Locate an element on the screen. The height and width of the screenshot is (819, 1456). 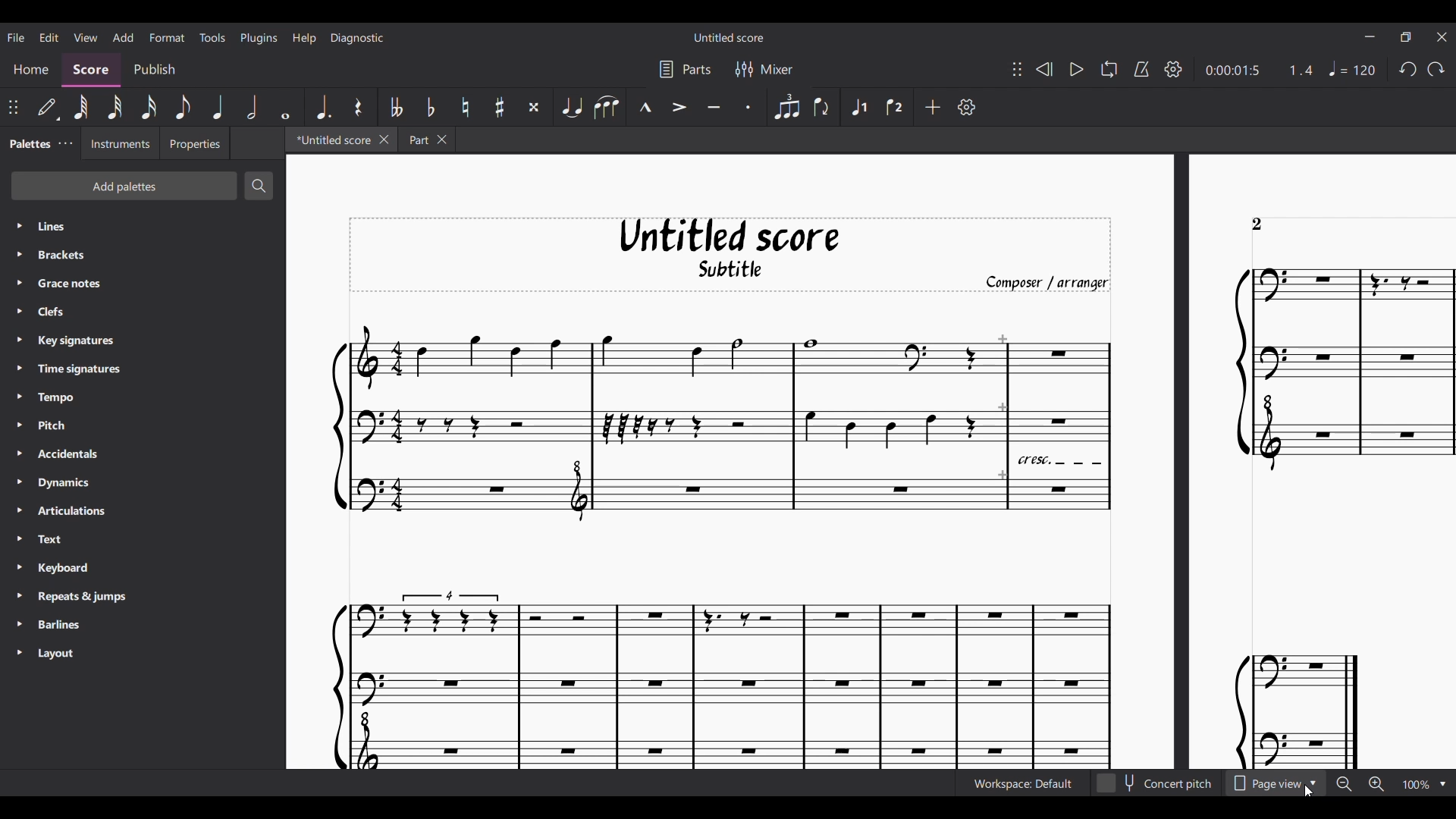
Zoom factor is located at coordinates (1416, 786).